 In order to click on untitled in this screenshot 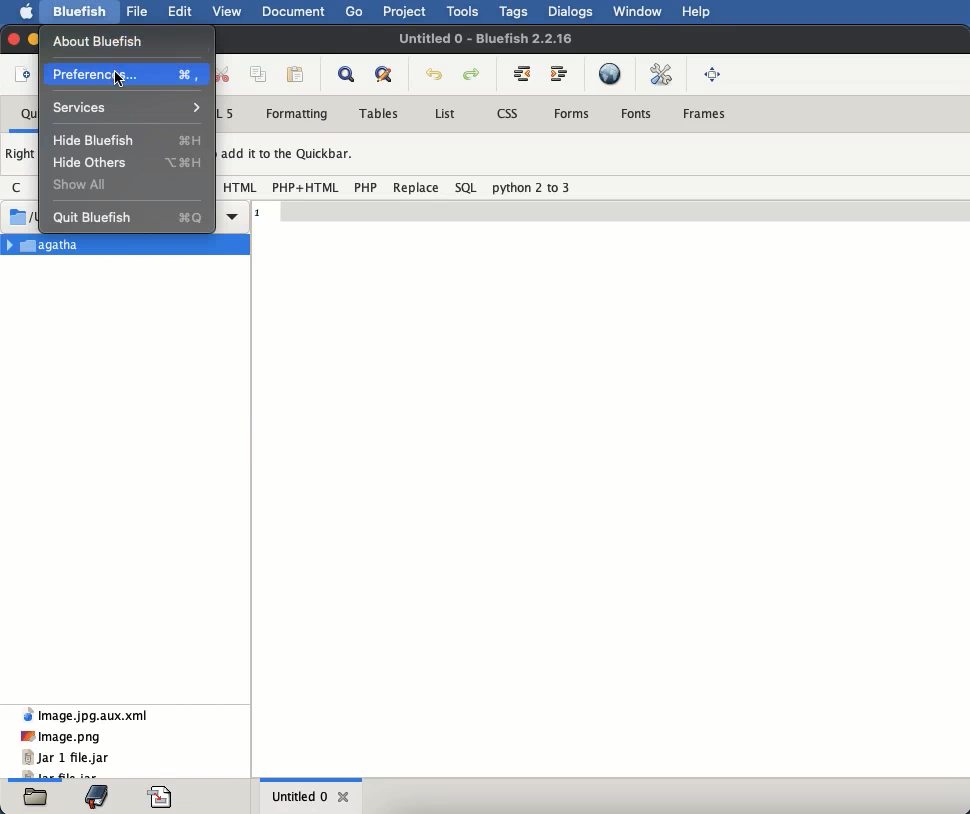, I will do `click(299, 795)`.